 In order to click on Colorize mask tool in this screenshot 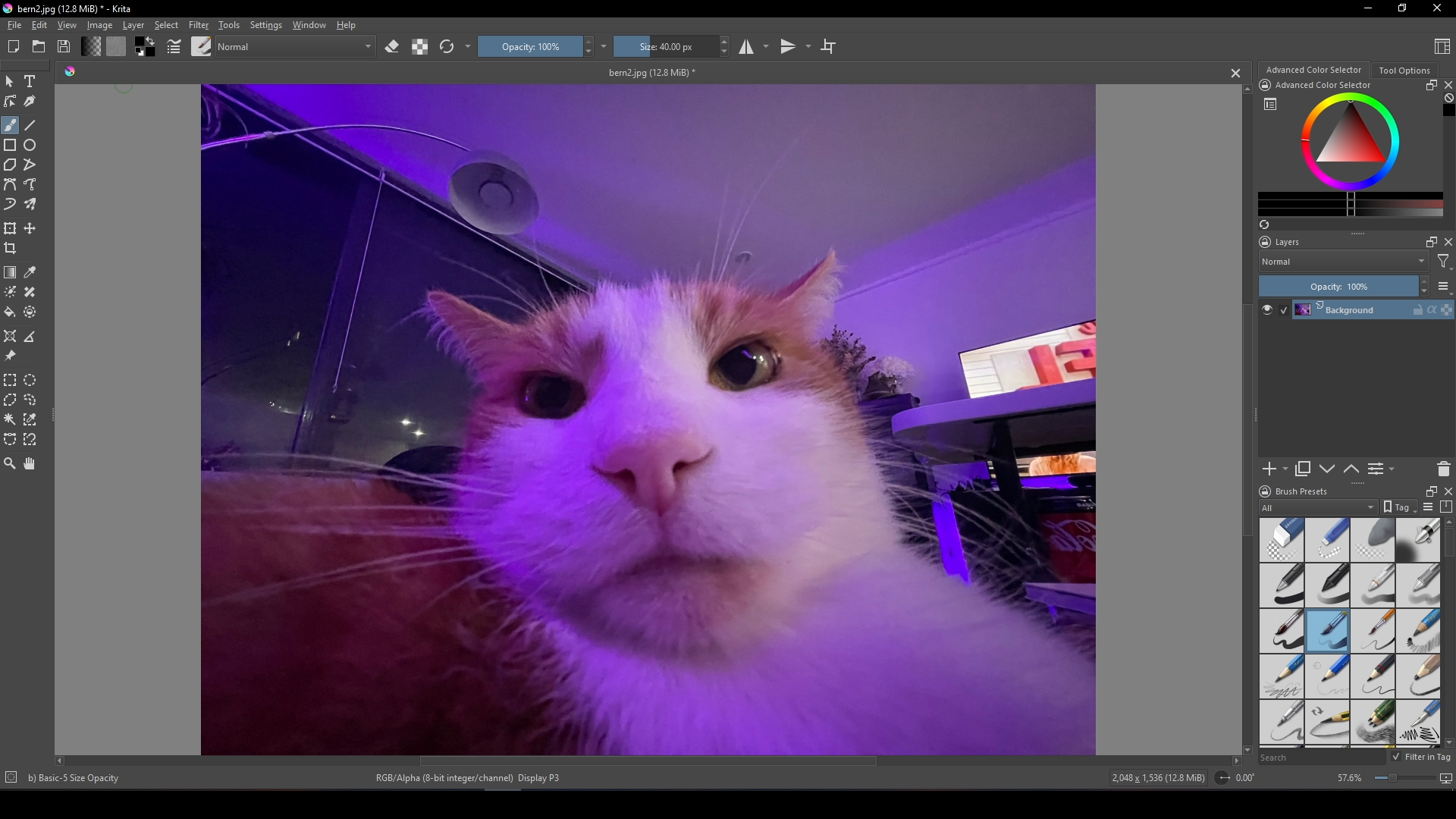, I will do `click(11, 292)`.